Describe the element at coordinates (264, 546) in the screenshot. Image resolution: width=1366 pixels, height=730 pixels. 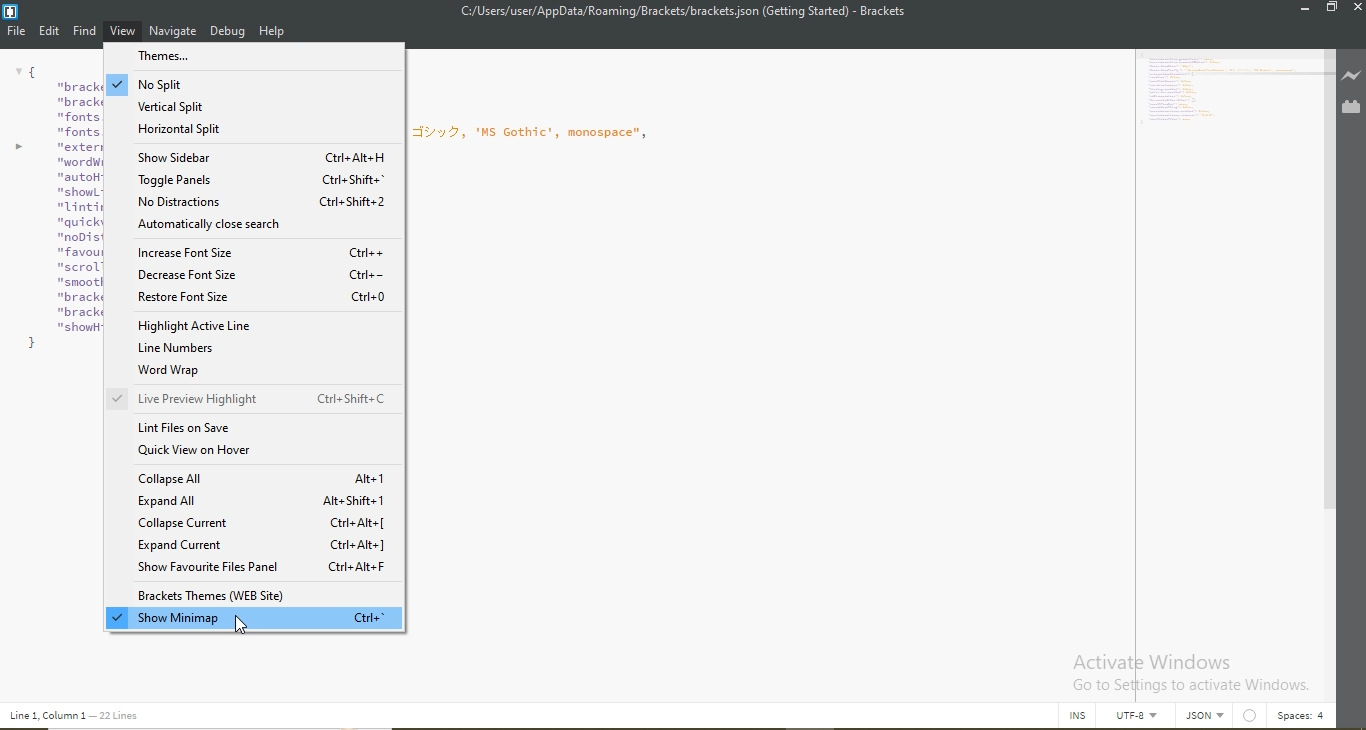
I see `expand current` at that location.